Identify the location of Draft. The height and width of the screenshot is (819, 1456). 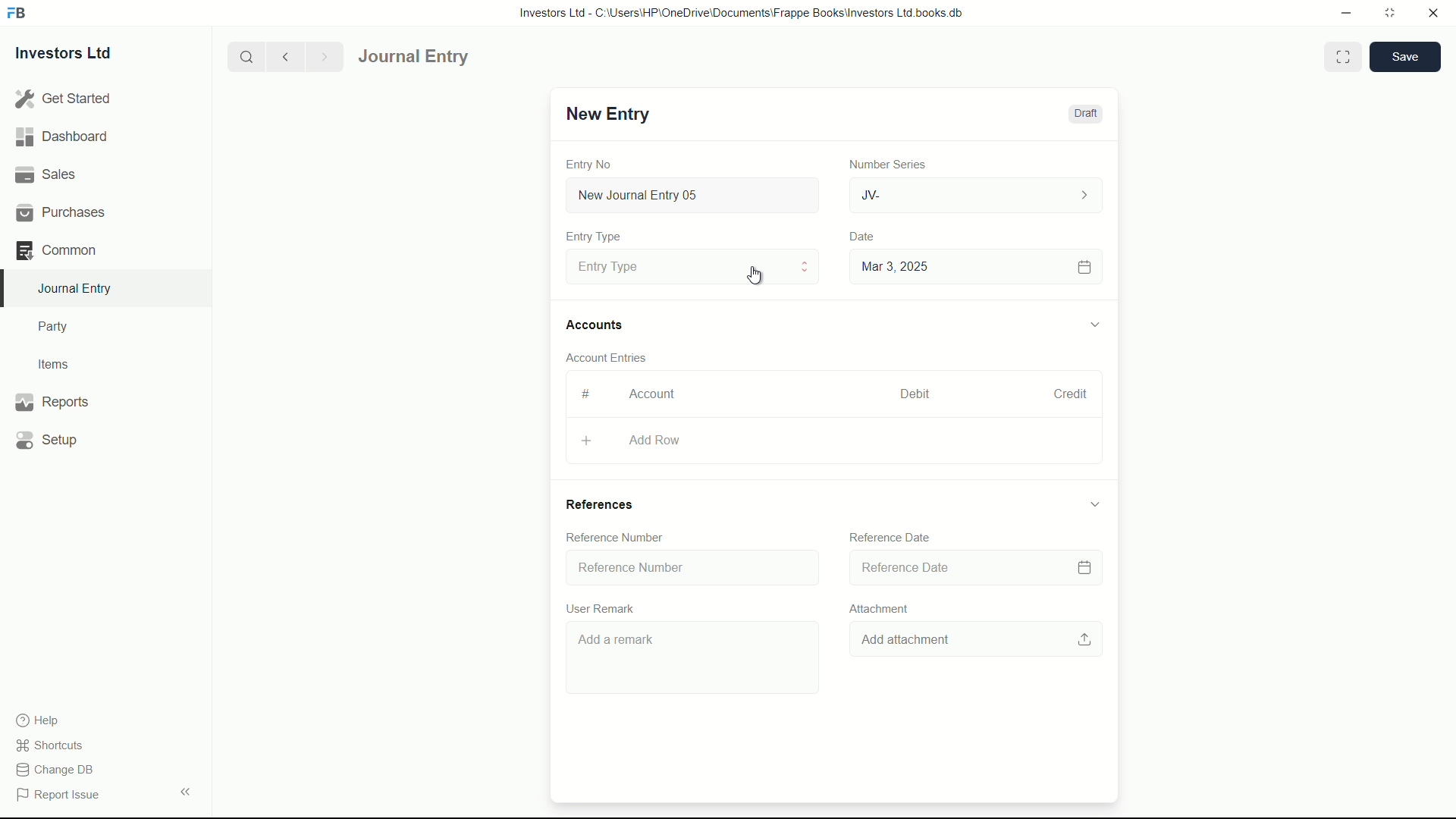
(1084, 114).